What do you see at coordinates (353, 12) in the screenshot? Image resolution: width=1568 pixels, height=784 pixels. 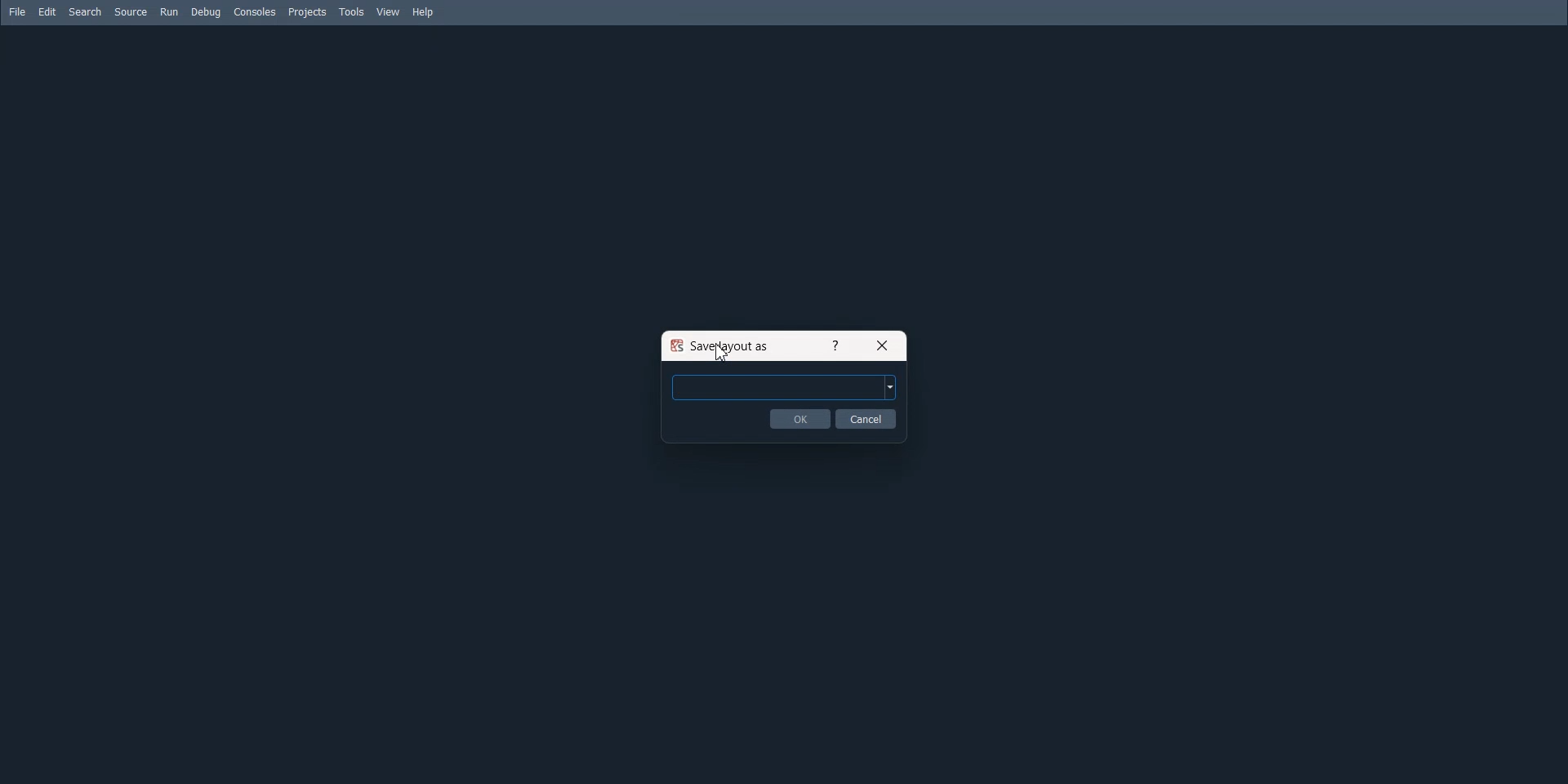 I see `Tools` at bounding box center [353, 12].